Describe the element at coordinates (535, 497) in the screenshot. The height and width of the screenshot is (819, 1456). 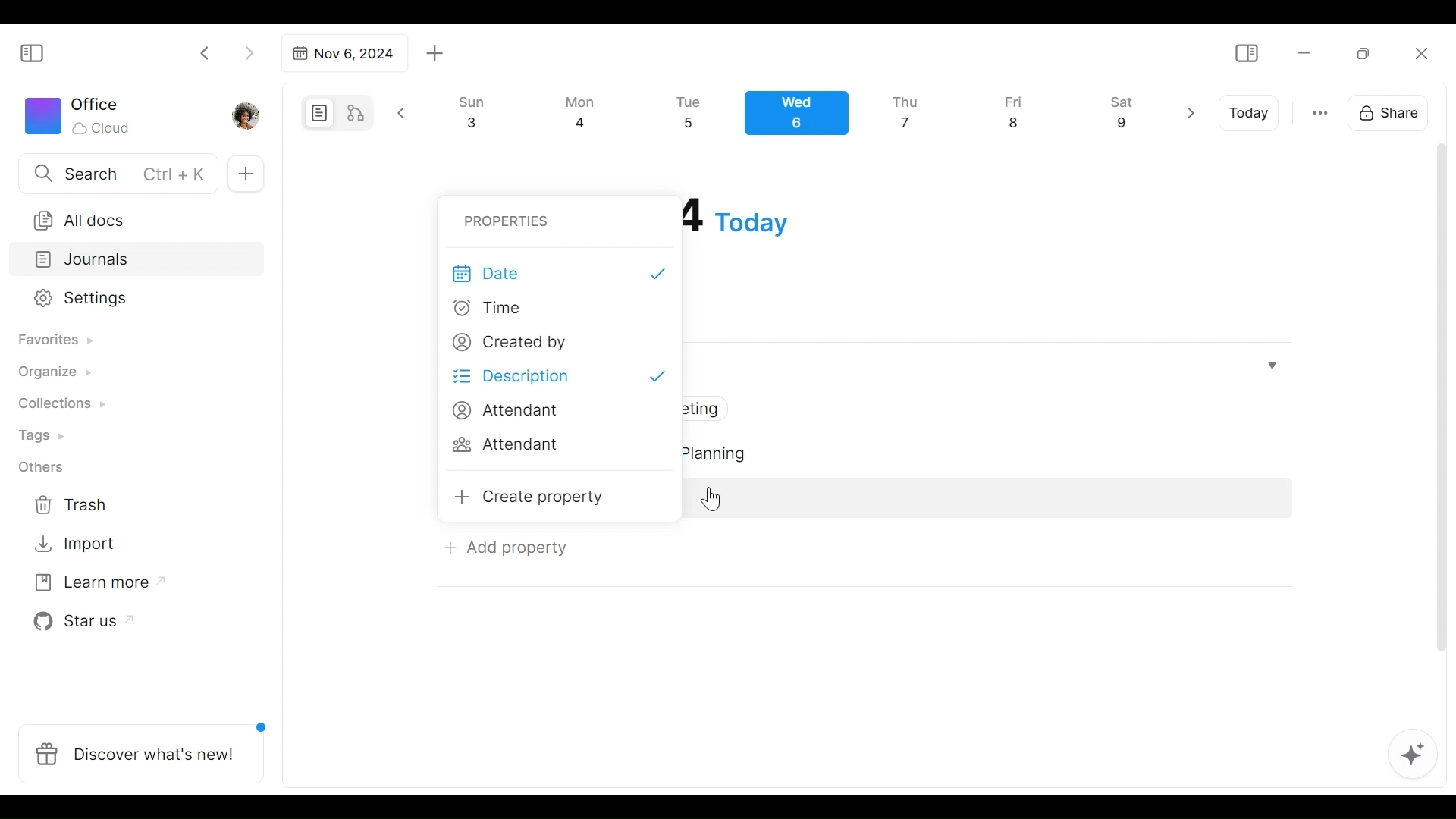
I see `Create property` at that location.